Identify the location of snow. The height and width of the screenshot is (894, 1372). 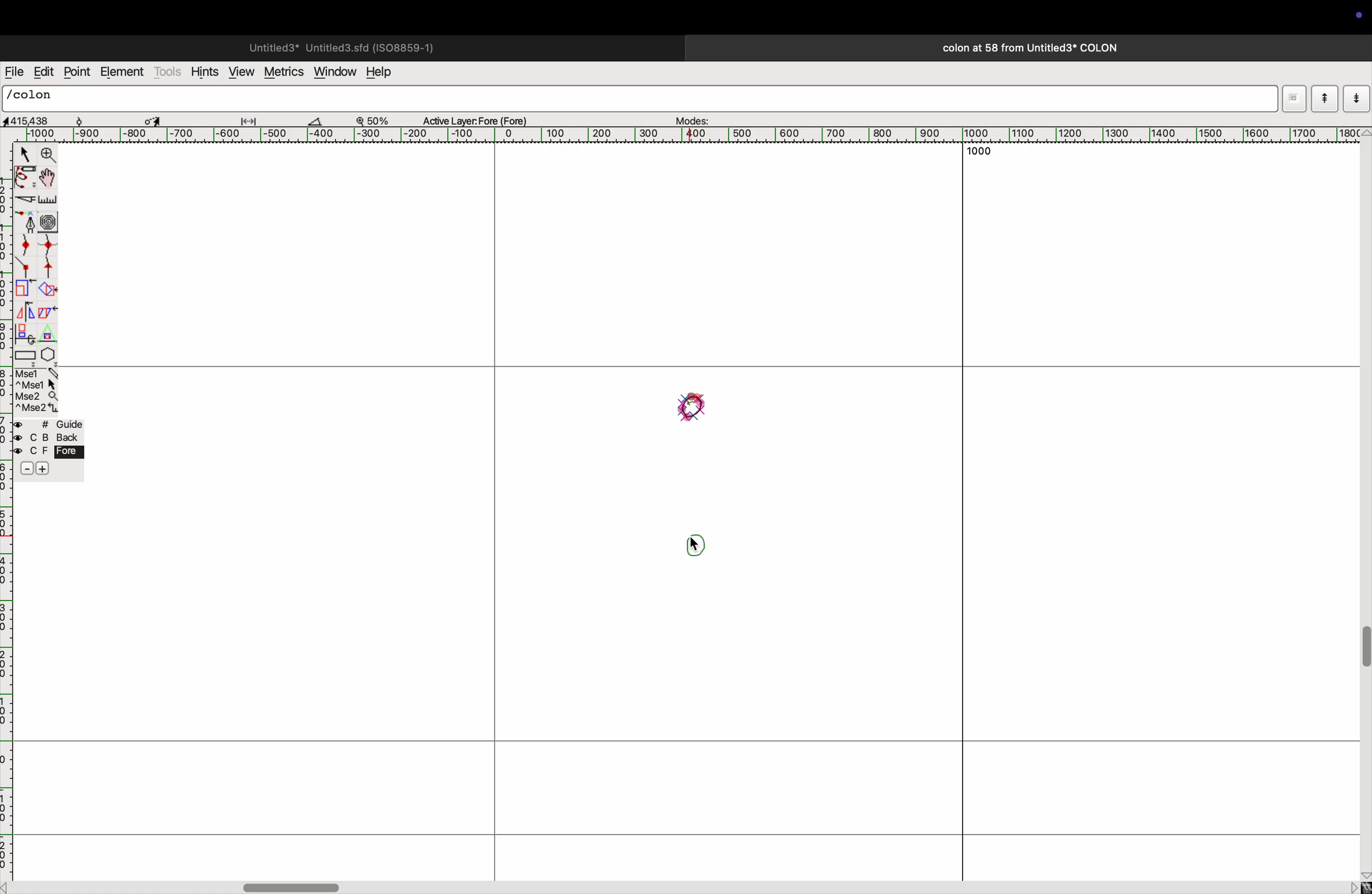
(91, 119).